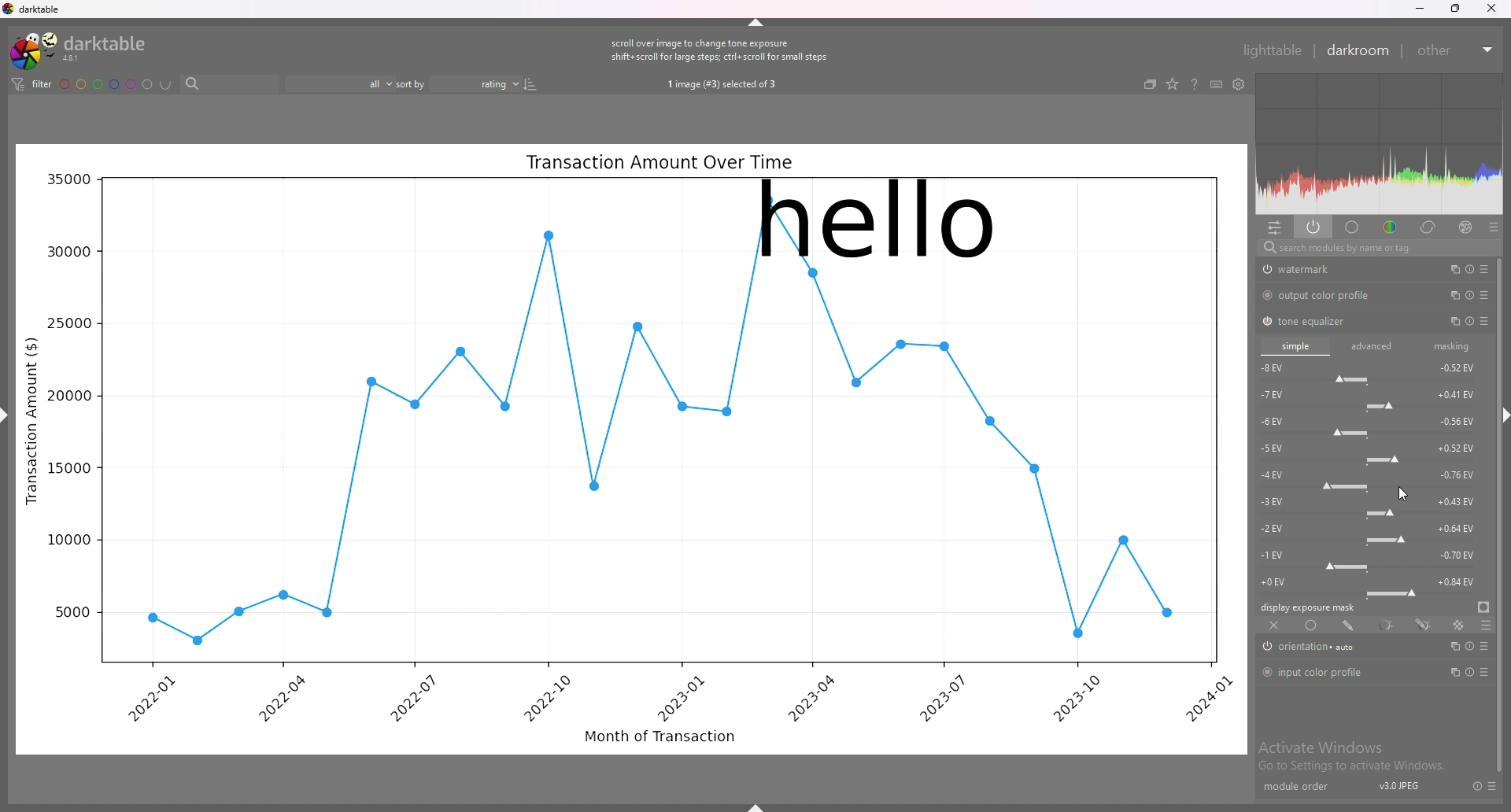 The width and height of the screenshot is (1511, 812). What do you see at coordinates (1469, 647) in the screenshot?
I see `multiple instance actions, reset and presets` at bounding box center [1469, 647].